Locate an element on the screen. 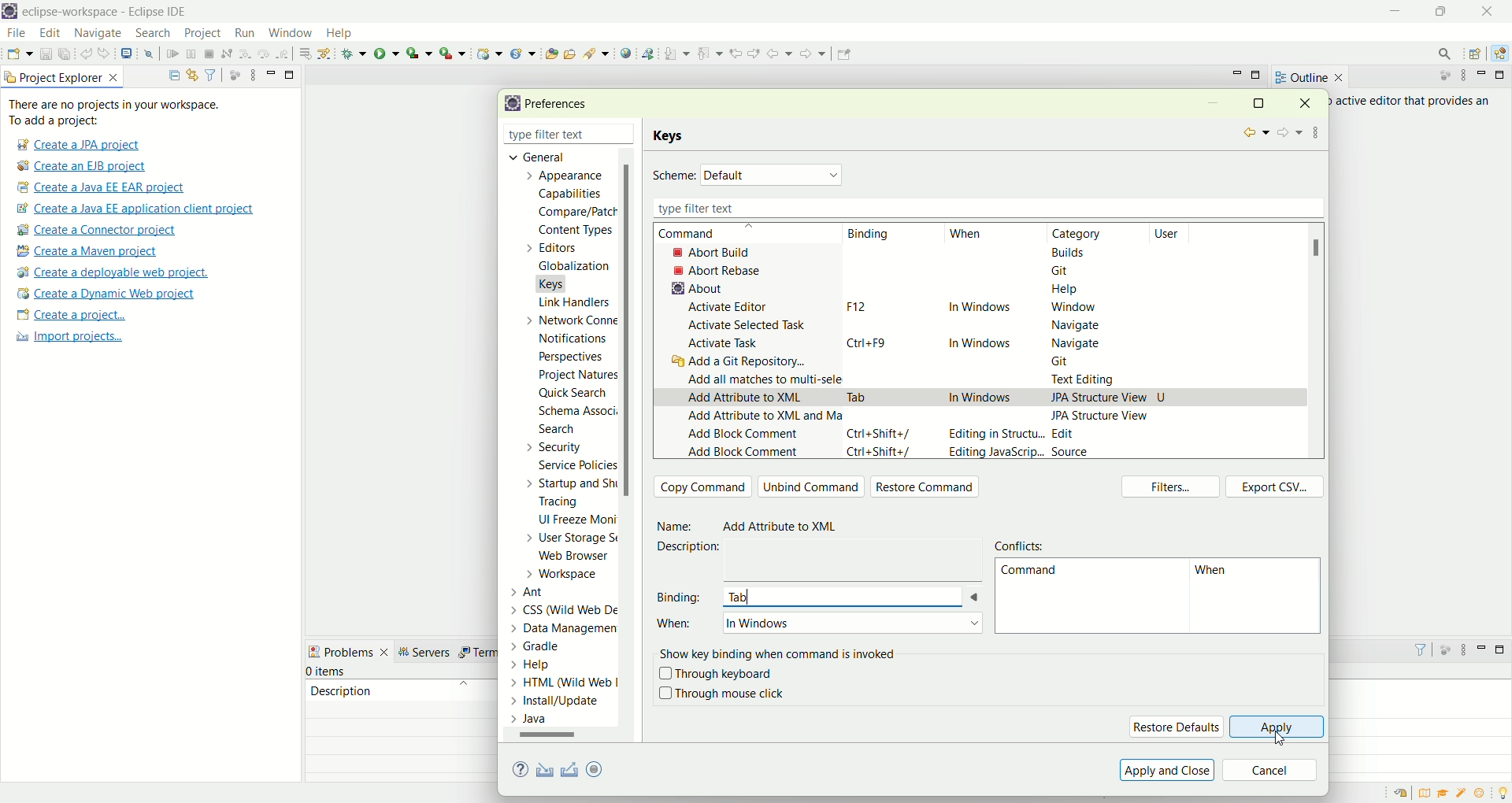 This screenshot has height=803, width=1512. abort build is located at coordinates (725, 252).